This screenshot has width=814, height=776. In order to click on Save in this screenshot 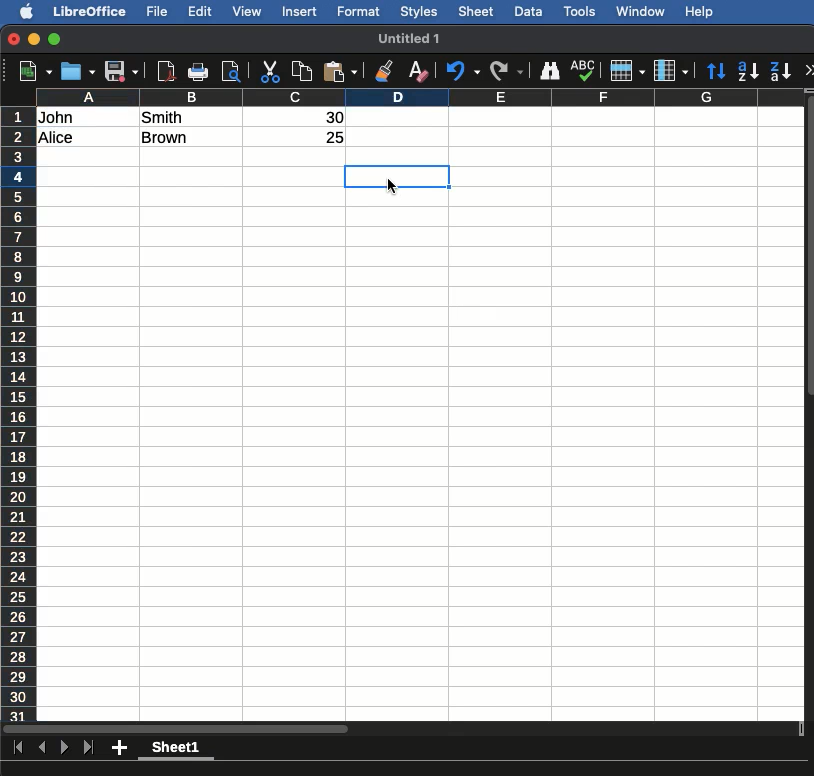, I will do `click(122, 69)`.